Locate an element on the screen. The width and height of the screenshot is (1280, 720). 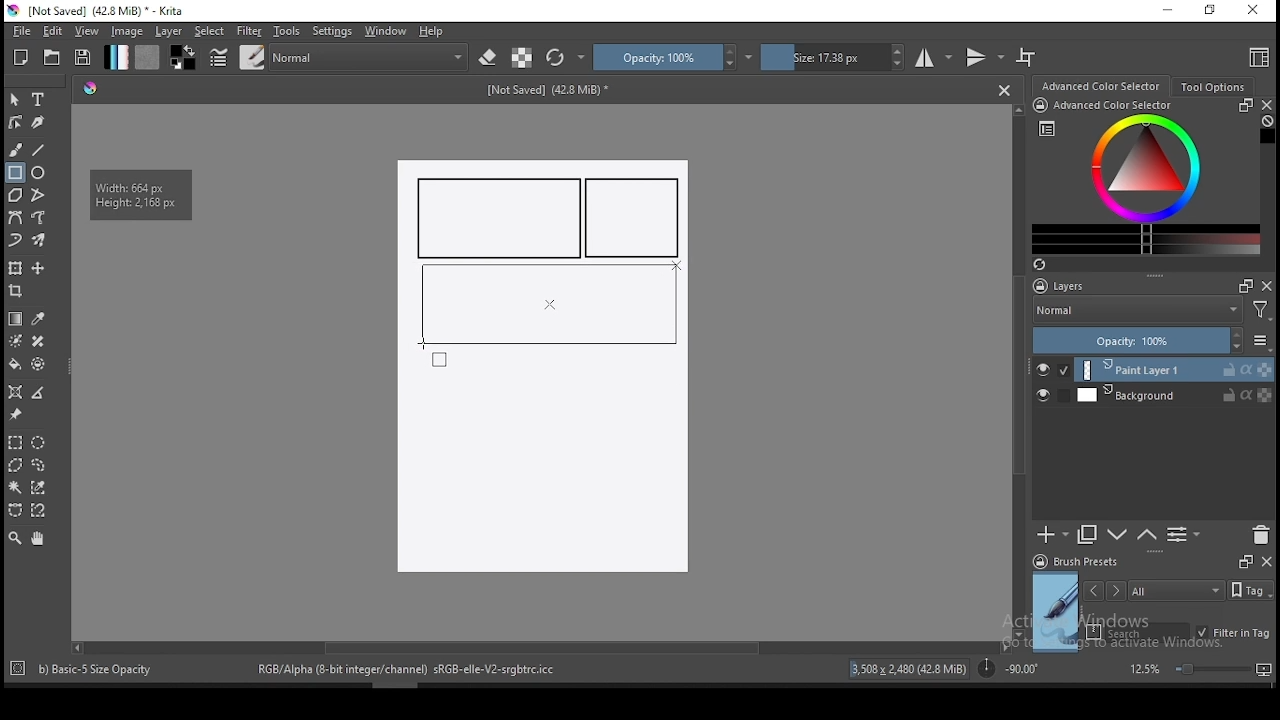
text tool is located at coordinates (39, 100).